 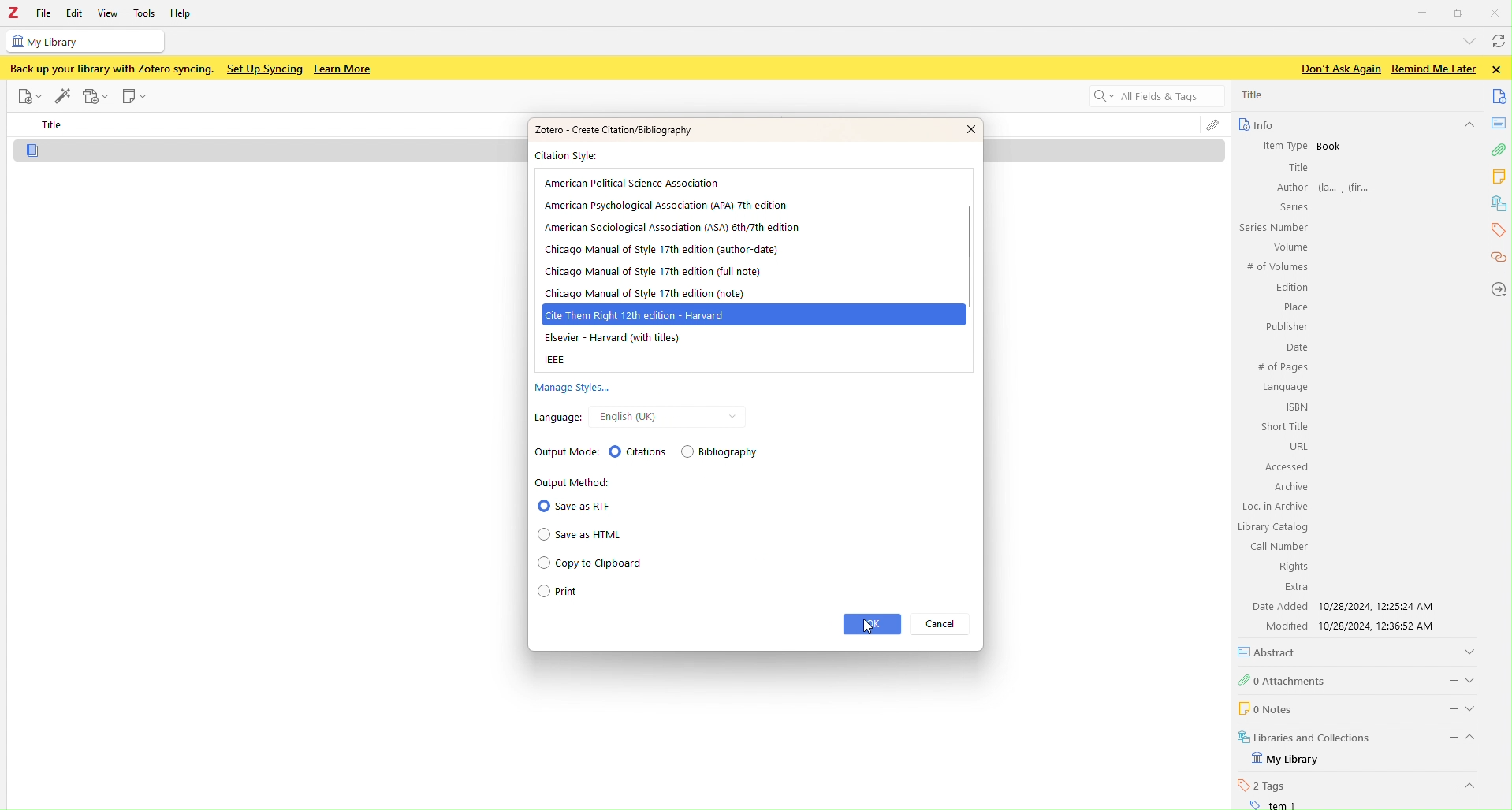 What do you see at coordinates (1298, 407) in the screenshot?
I see `ISBN` at bounding box center [1298, 407].